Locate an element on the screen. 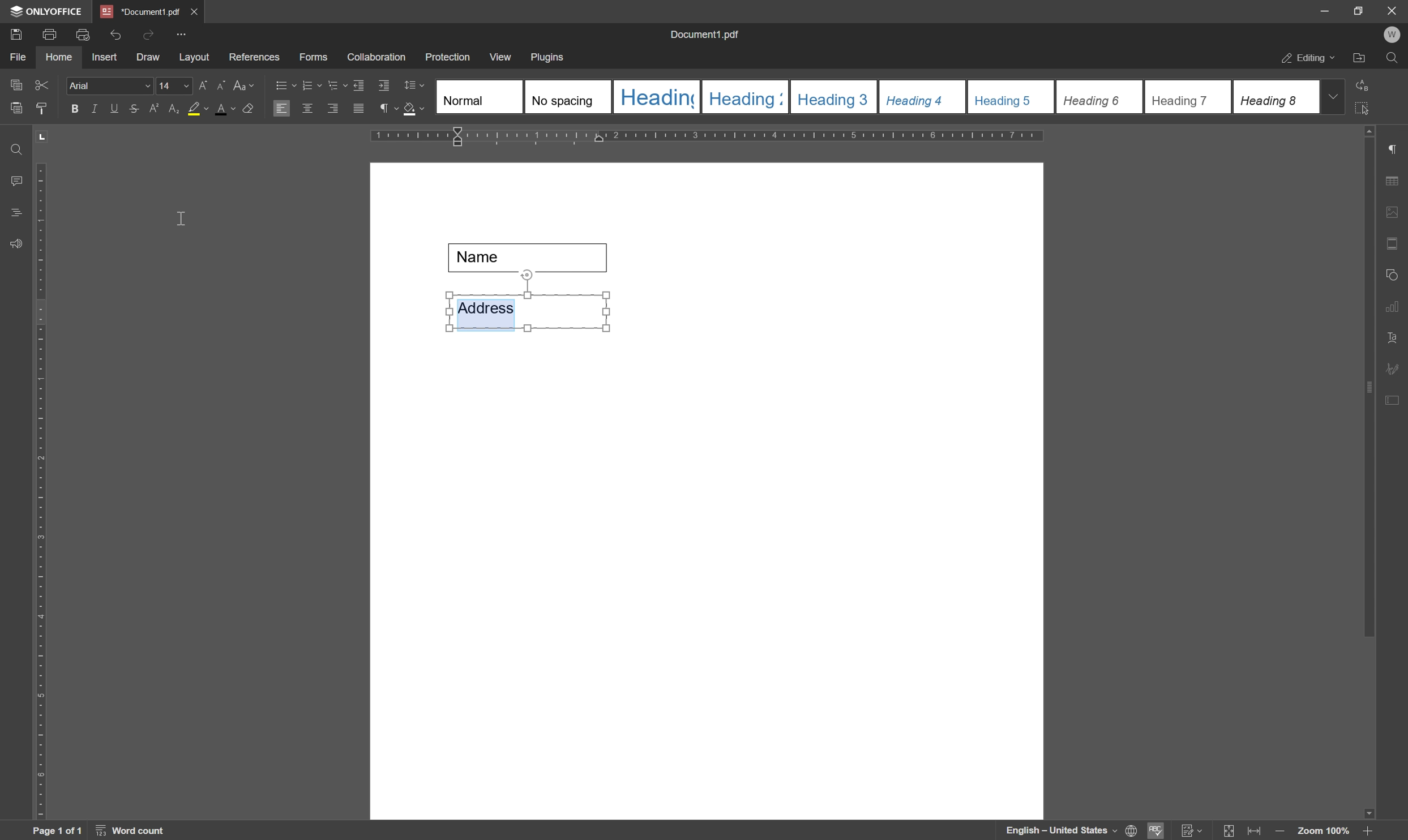 Image resolution: width=1408 pixels, height=840 pixels. shading is located at coordinates (414, 110).